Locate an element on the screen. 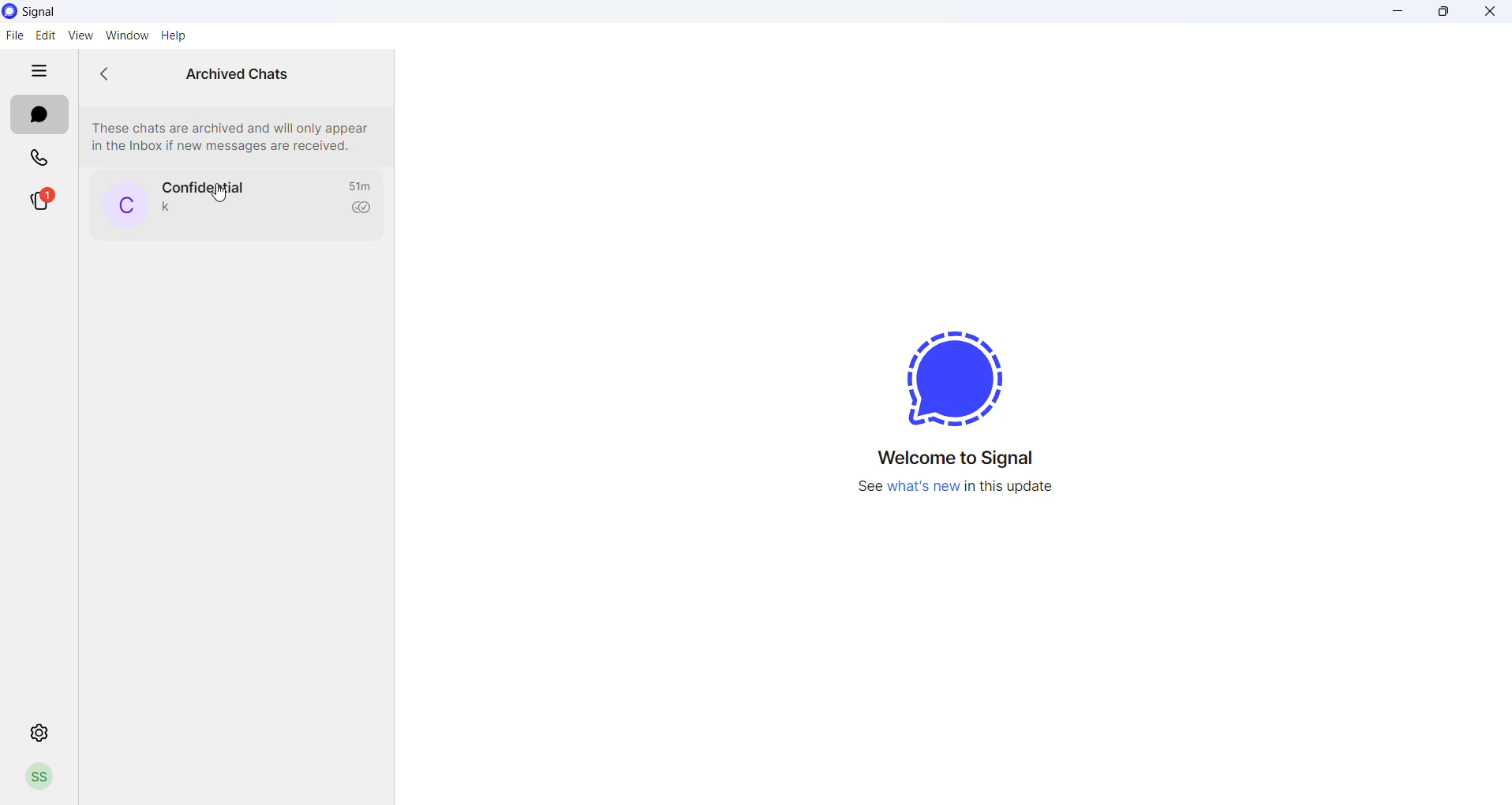 The width and height of the screenshot is (1512, 805). go back is located at coordinates (111, 74).